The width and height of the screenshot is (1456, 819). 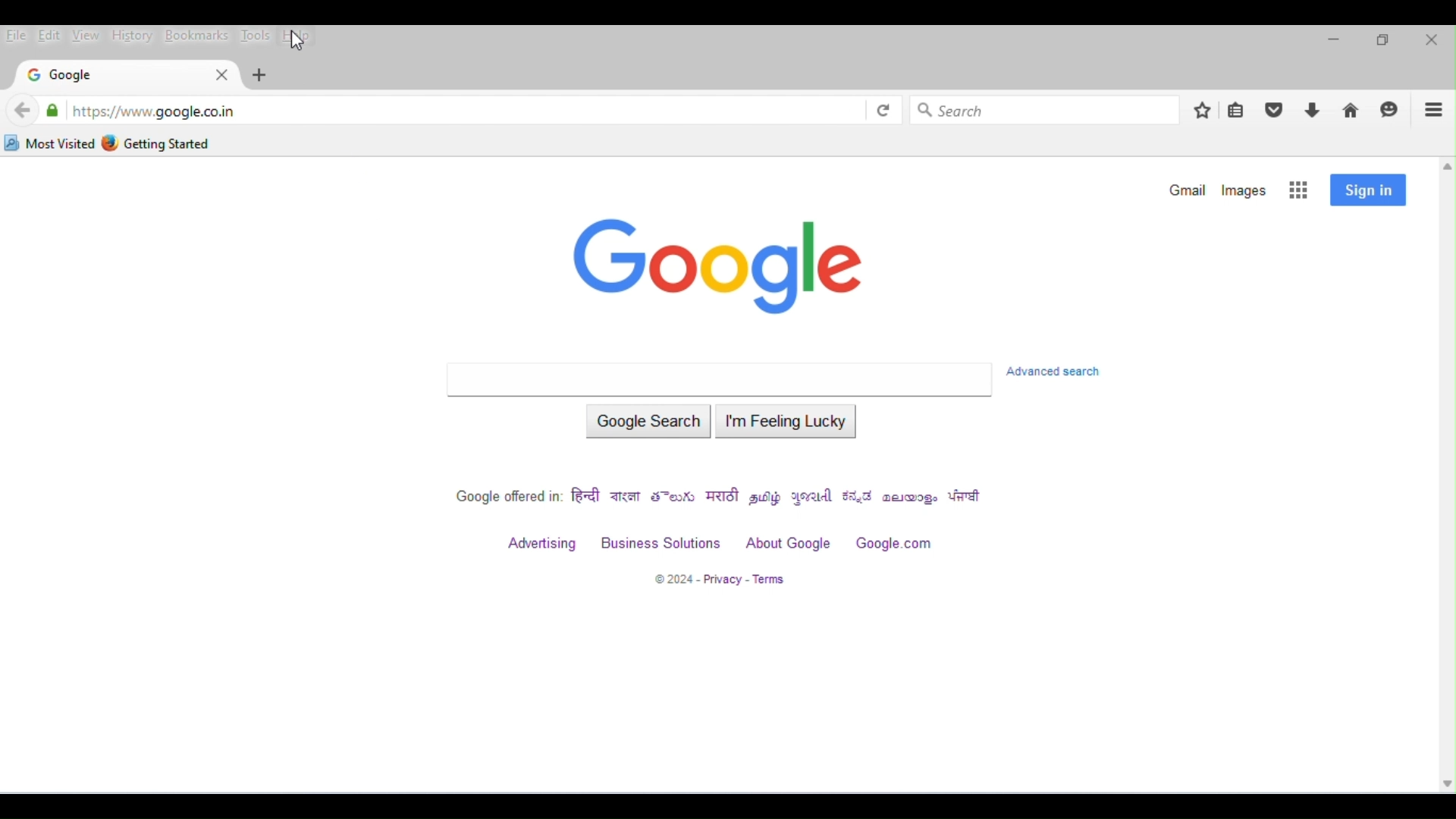 I want to click on google, so click(x=62, y=76).